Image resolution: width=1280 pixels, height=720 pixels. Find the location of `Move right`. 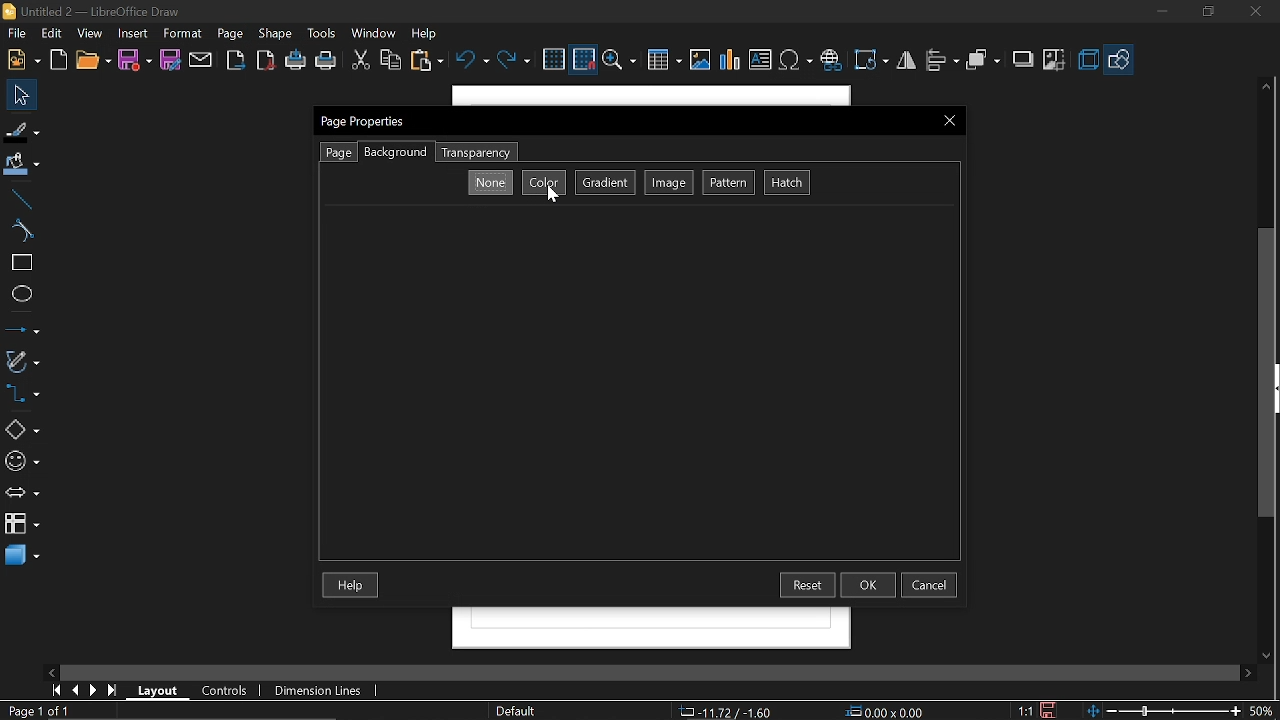

Move right is located at coordinates (1248, 672).